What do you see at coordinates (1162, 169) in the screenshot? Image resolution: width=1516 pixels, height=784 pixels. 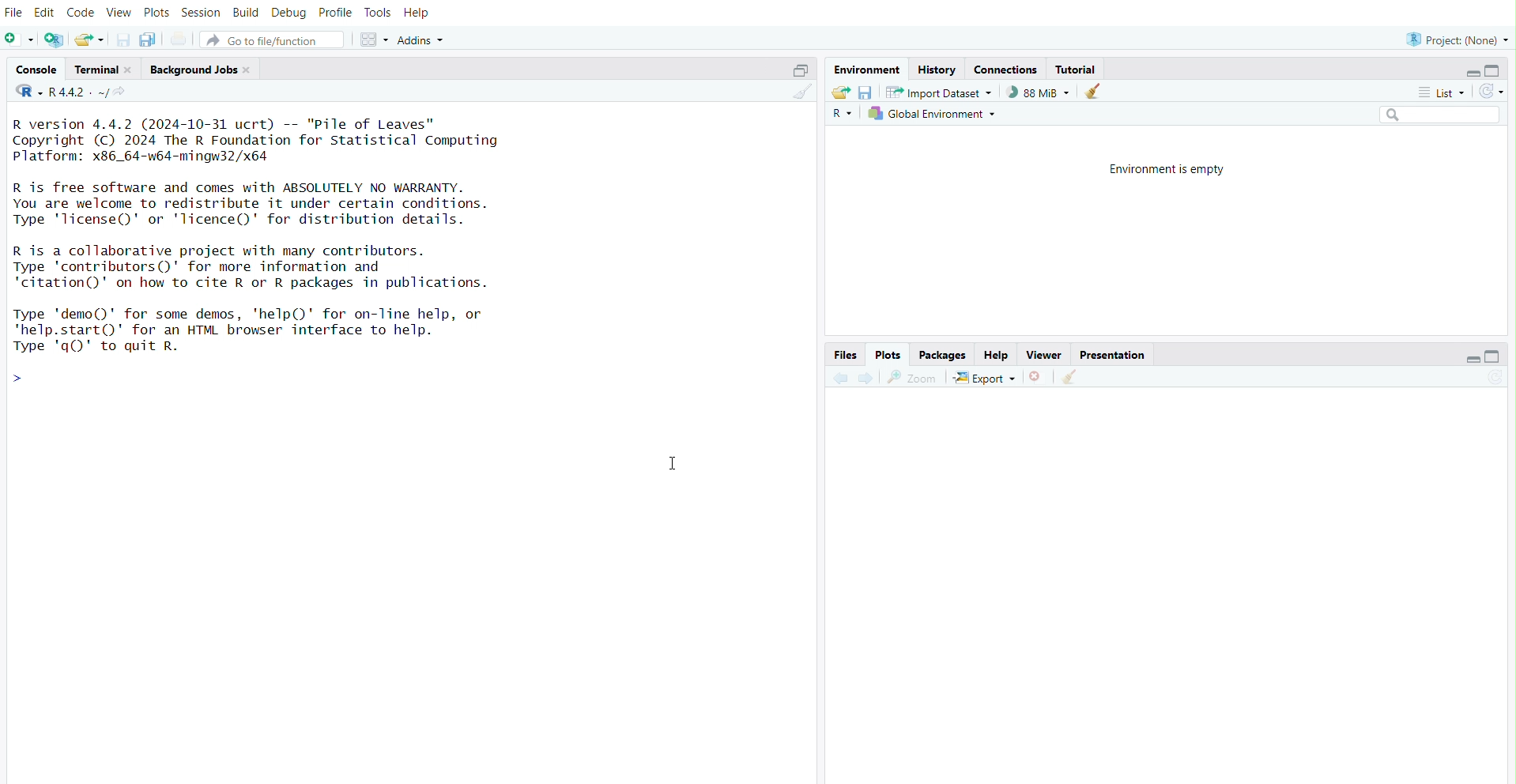 I see `environment is empty` at bounding box center [1162, 169].